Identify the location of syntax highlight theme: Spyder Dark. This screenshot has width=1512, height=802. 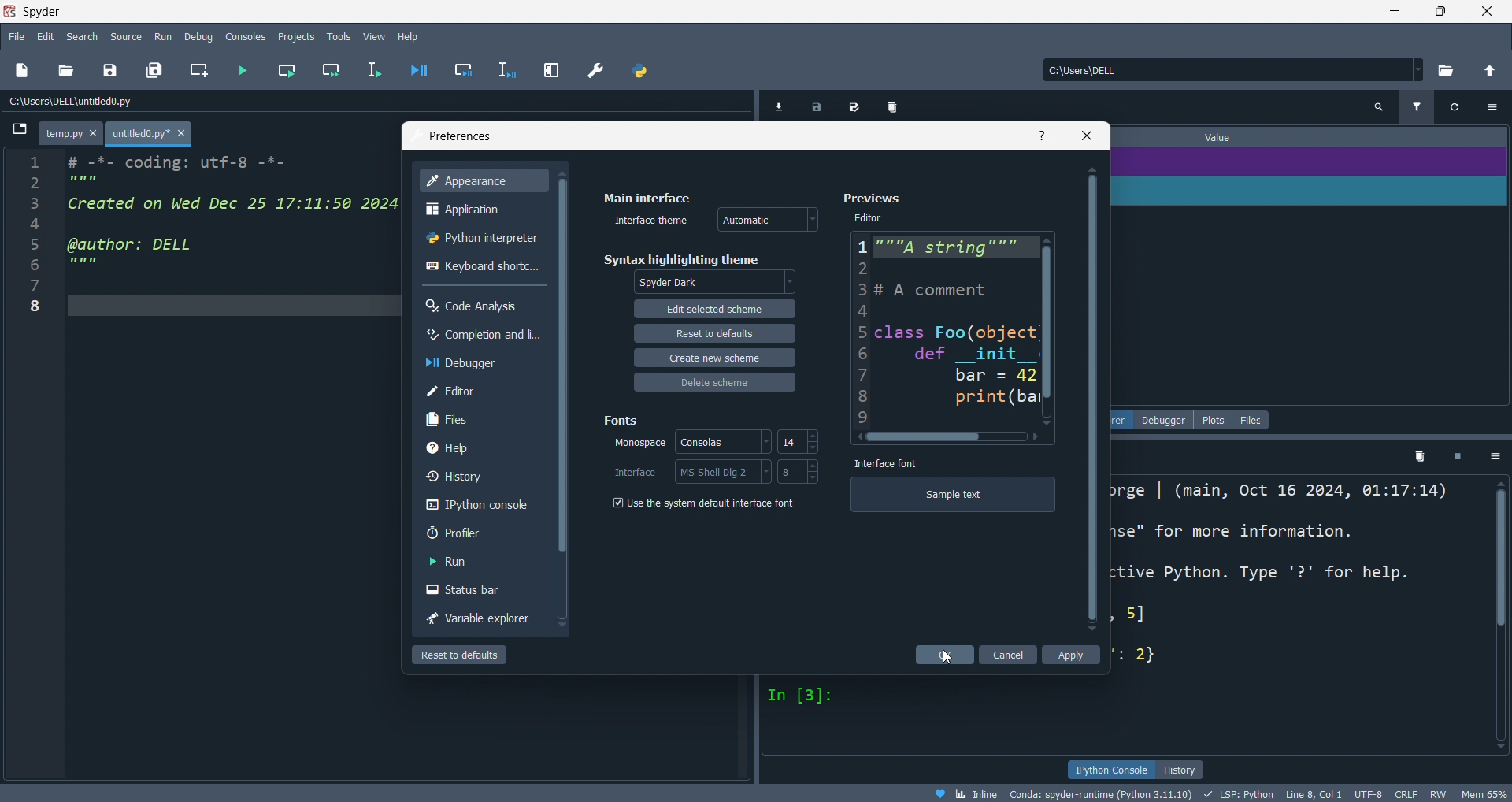
(701, 275).